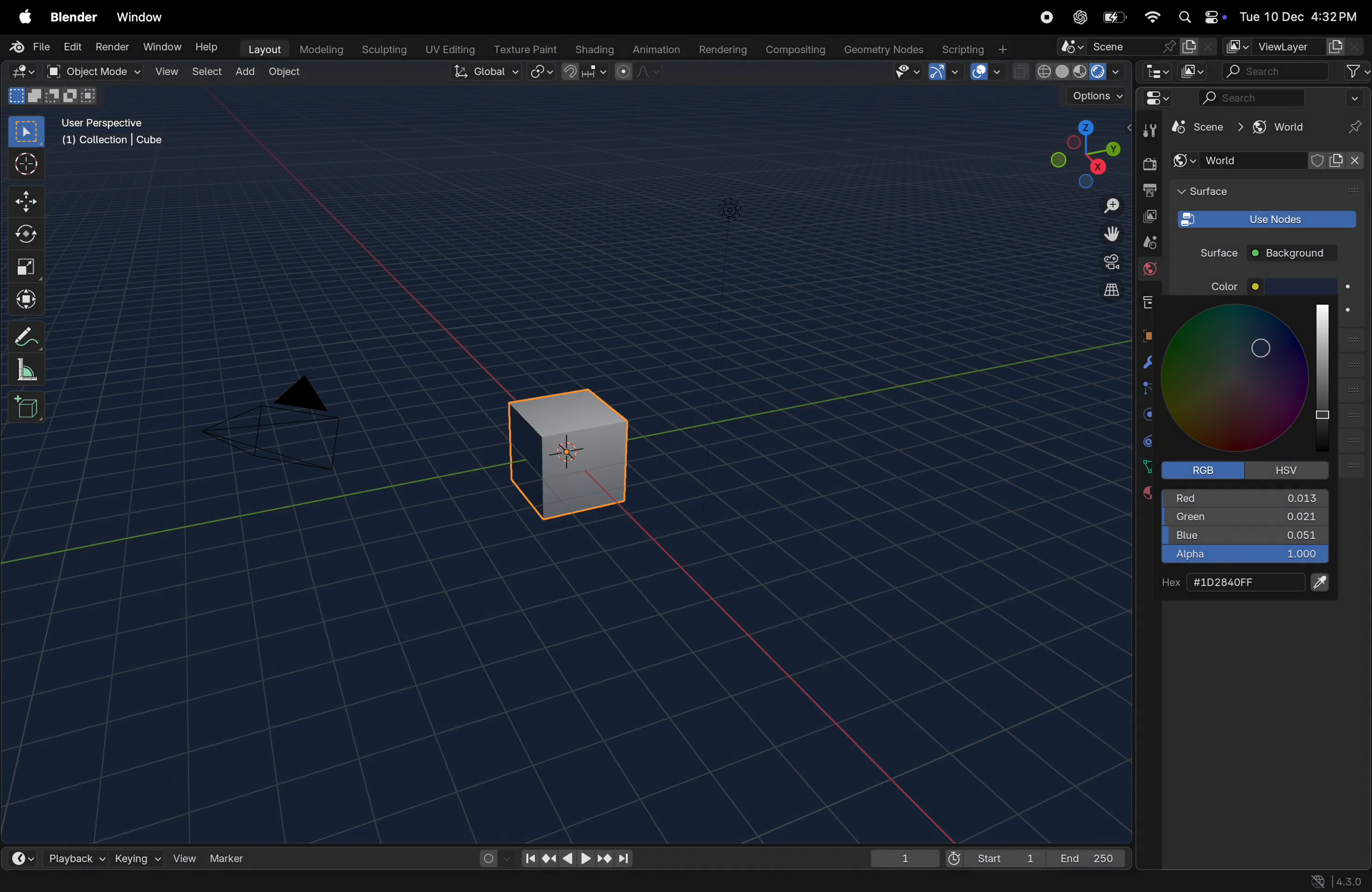  I want to click on user perspective, so click(119, 134).